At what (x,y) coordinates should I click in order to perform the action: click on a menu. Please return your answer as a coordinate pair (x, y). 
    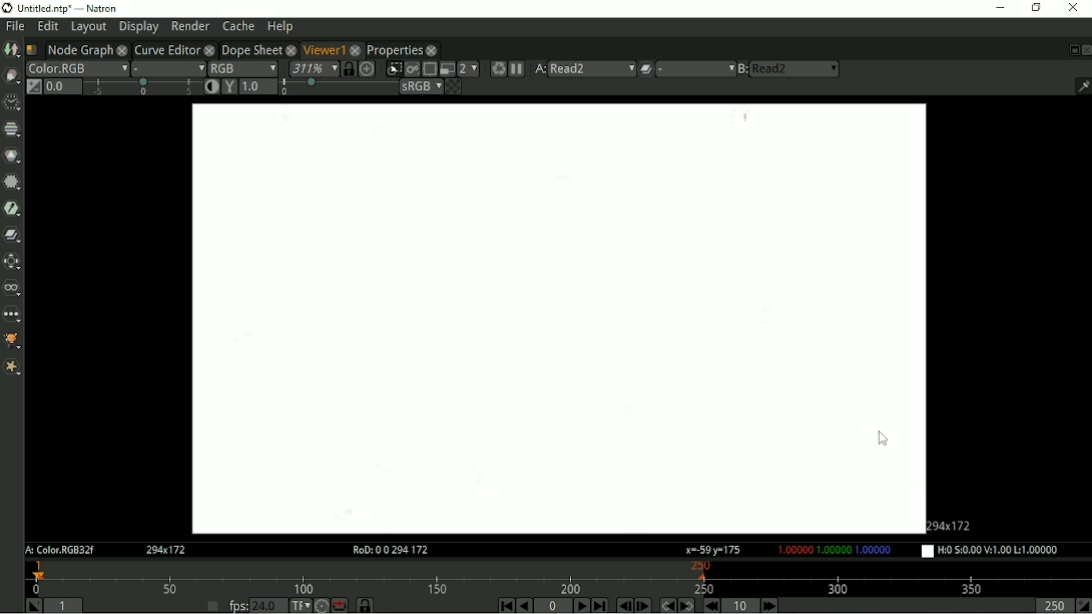
    Looking at the image, I should click on (594, 68).